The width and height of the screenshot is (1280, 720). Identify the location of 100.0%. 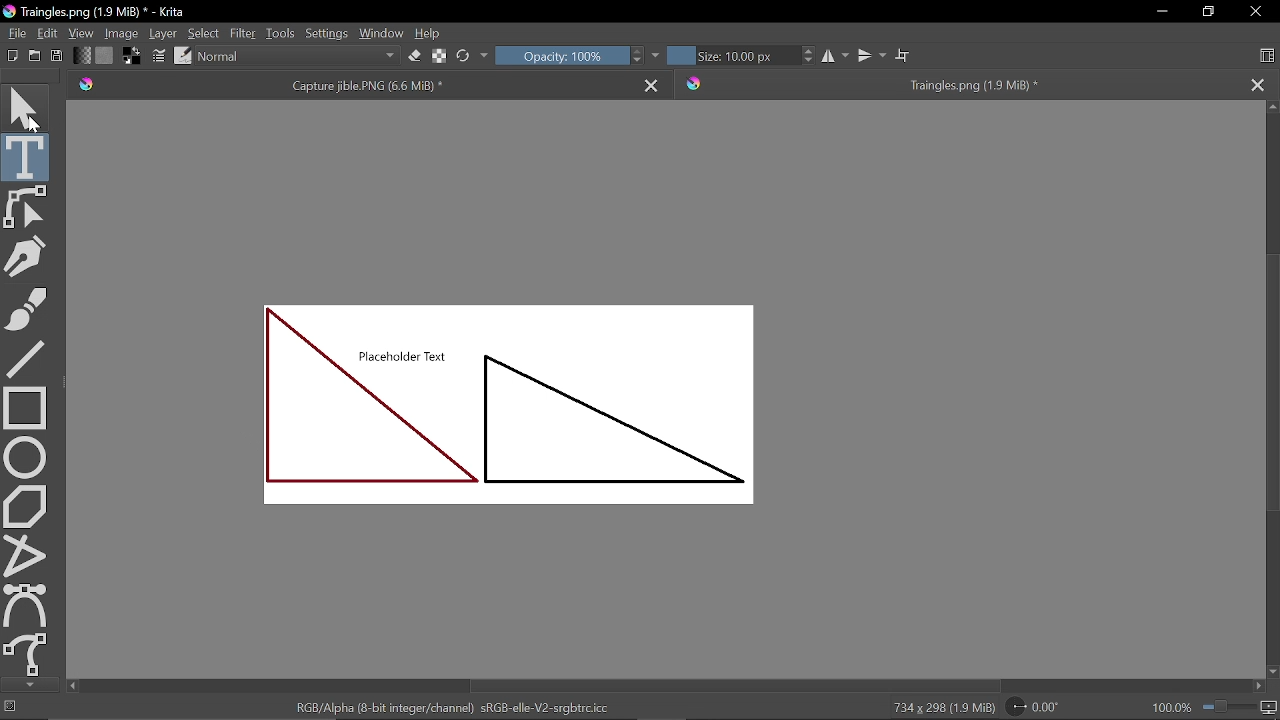
(1214, 706).